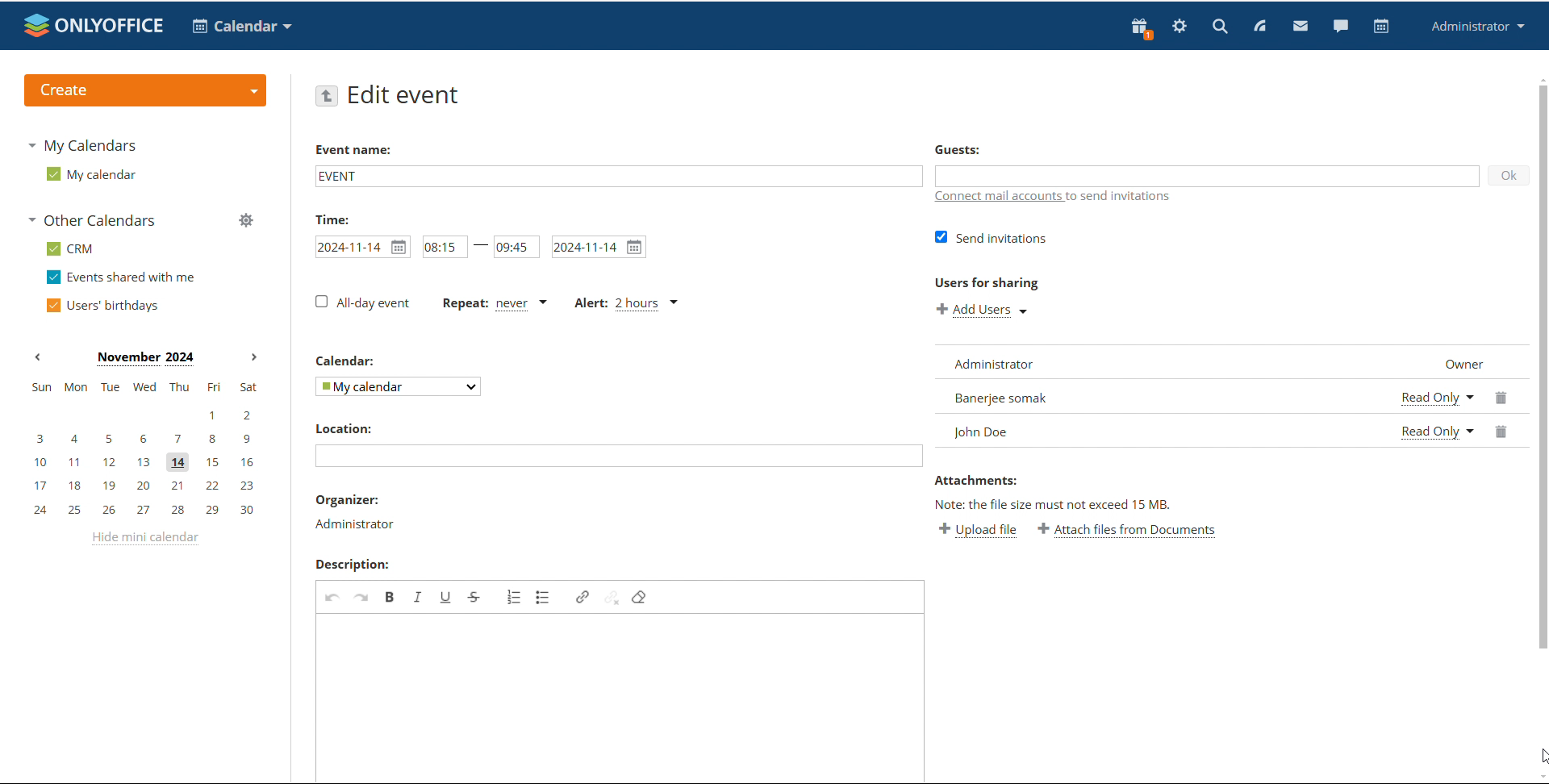 The image size is (1549, 784). I want to click on organizer, so click(357, 525).